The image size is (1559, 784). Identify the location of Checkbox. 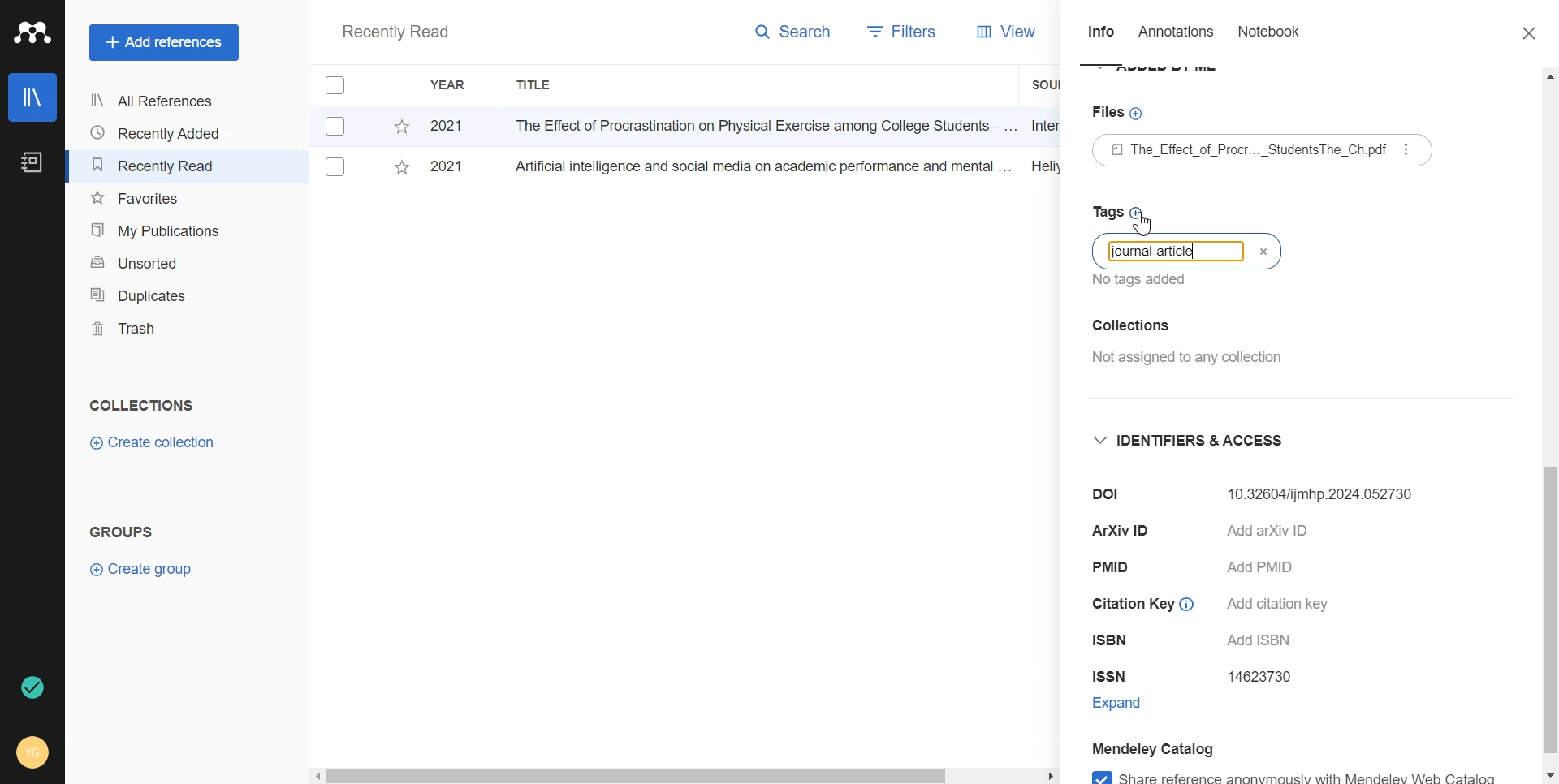
(339, 125).